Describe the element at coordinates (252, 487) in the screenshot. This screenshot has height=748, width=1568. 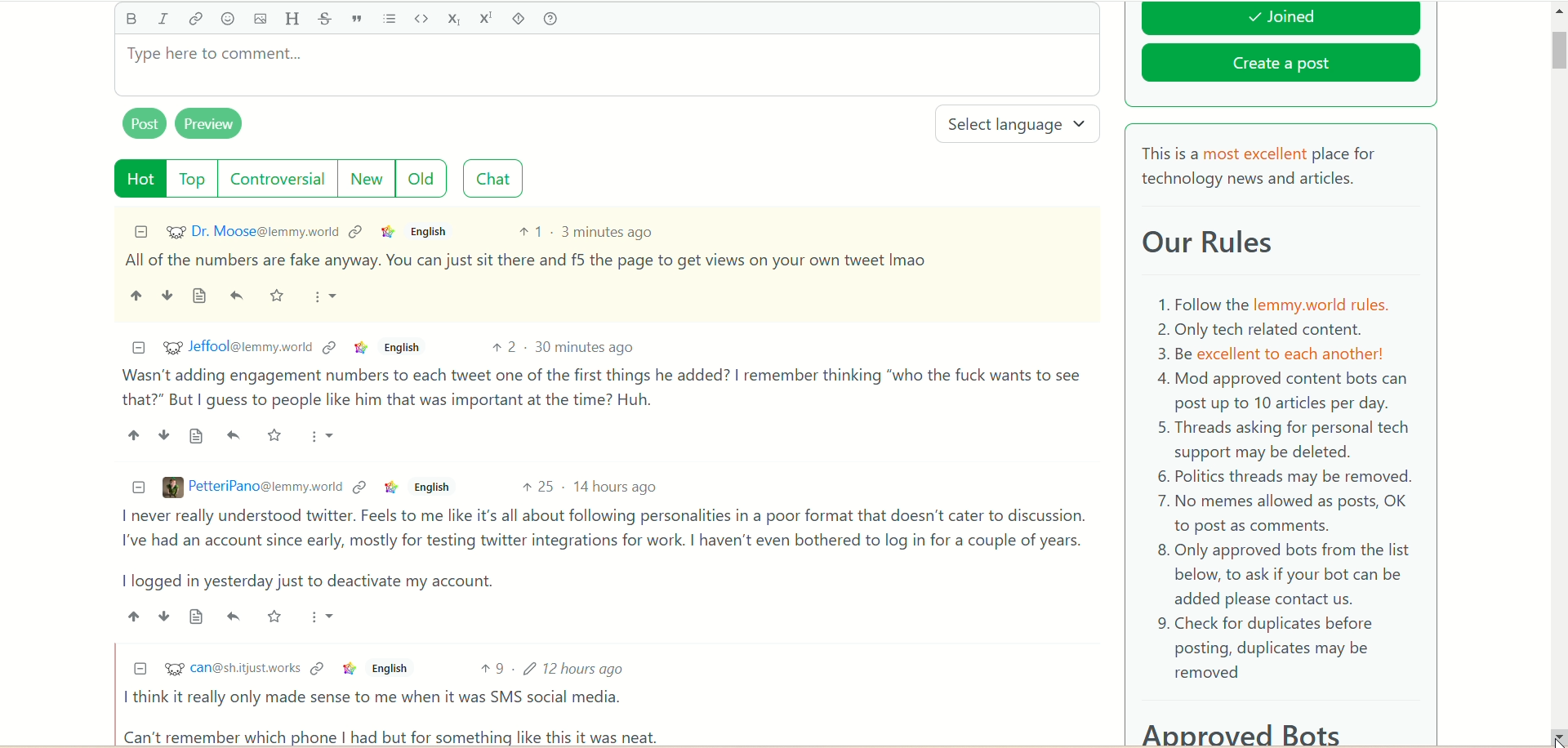
I see `2 PetteriPano@lemmy.world` at that location.